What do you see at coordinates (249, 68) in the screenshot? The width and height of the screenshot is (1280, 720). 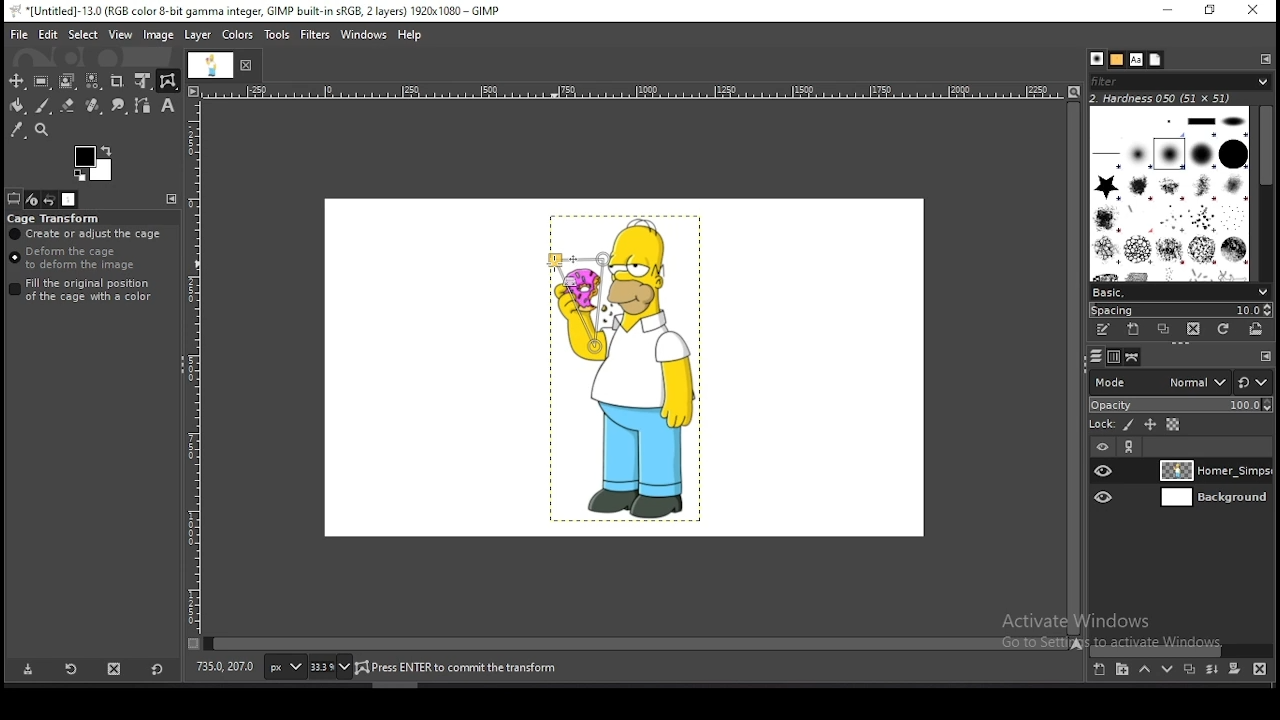 I see `close` at bounding box center [249, 68].